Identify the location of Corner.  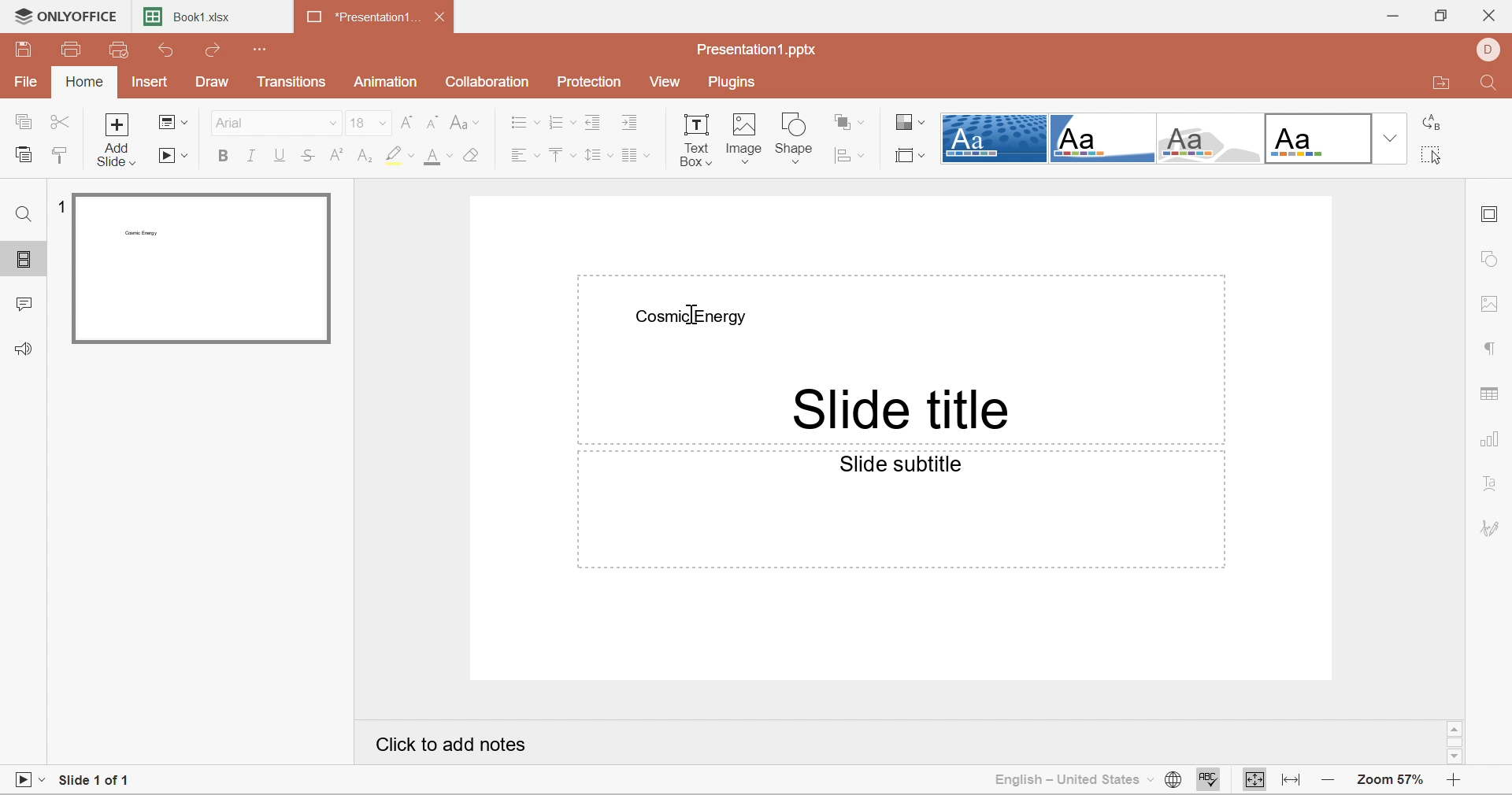
(1106, 140).